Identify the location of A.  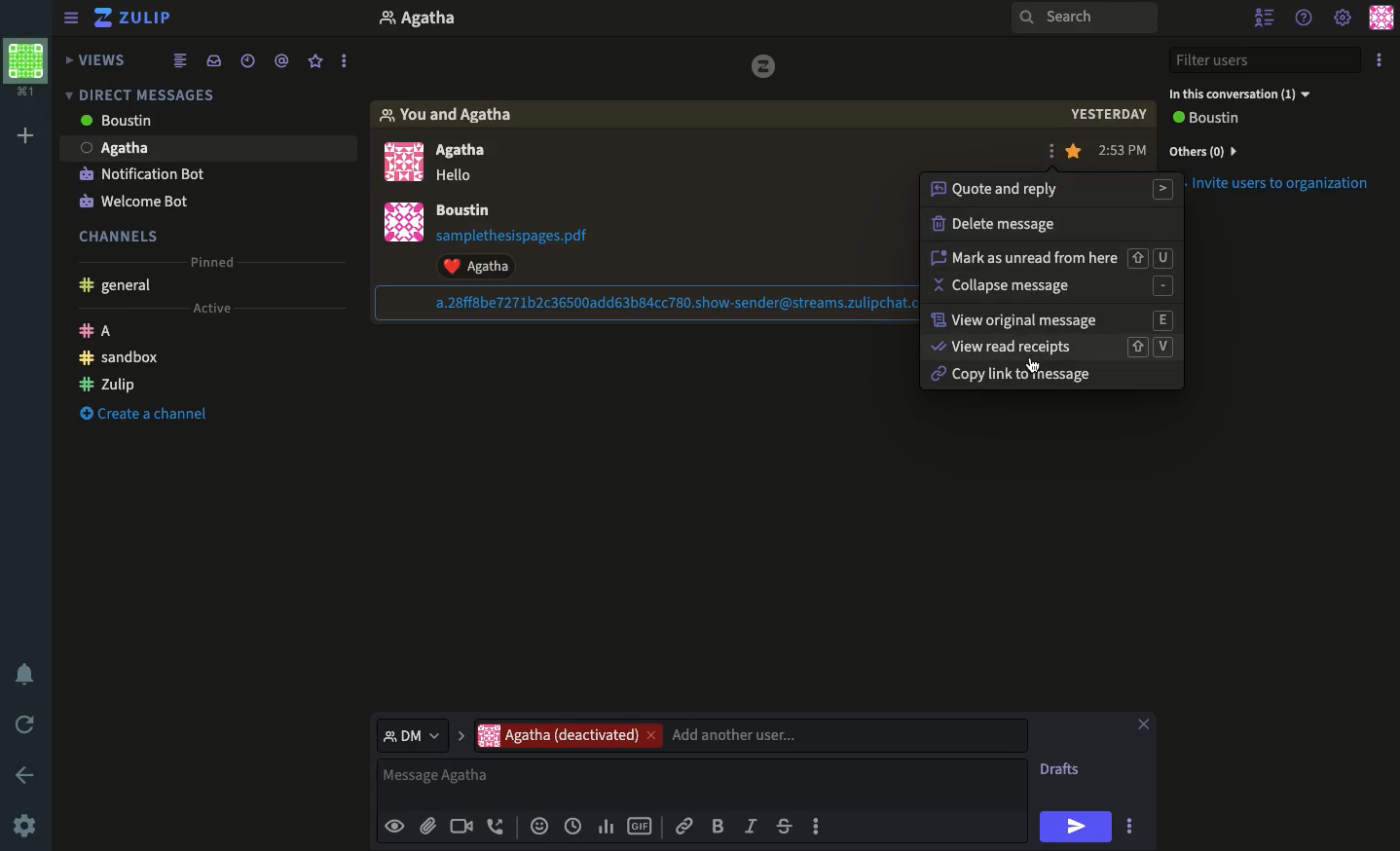
(99, 333).